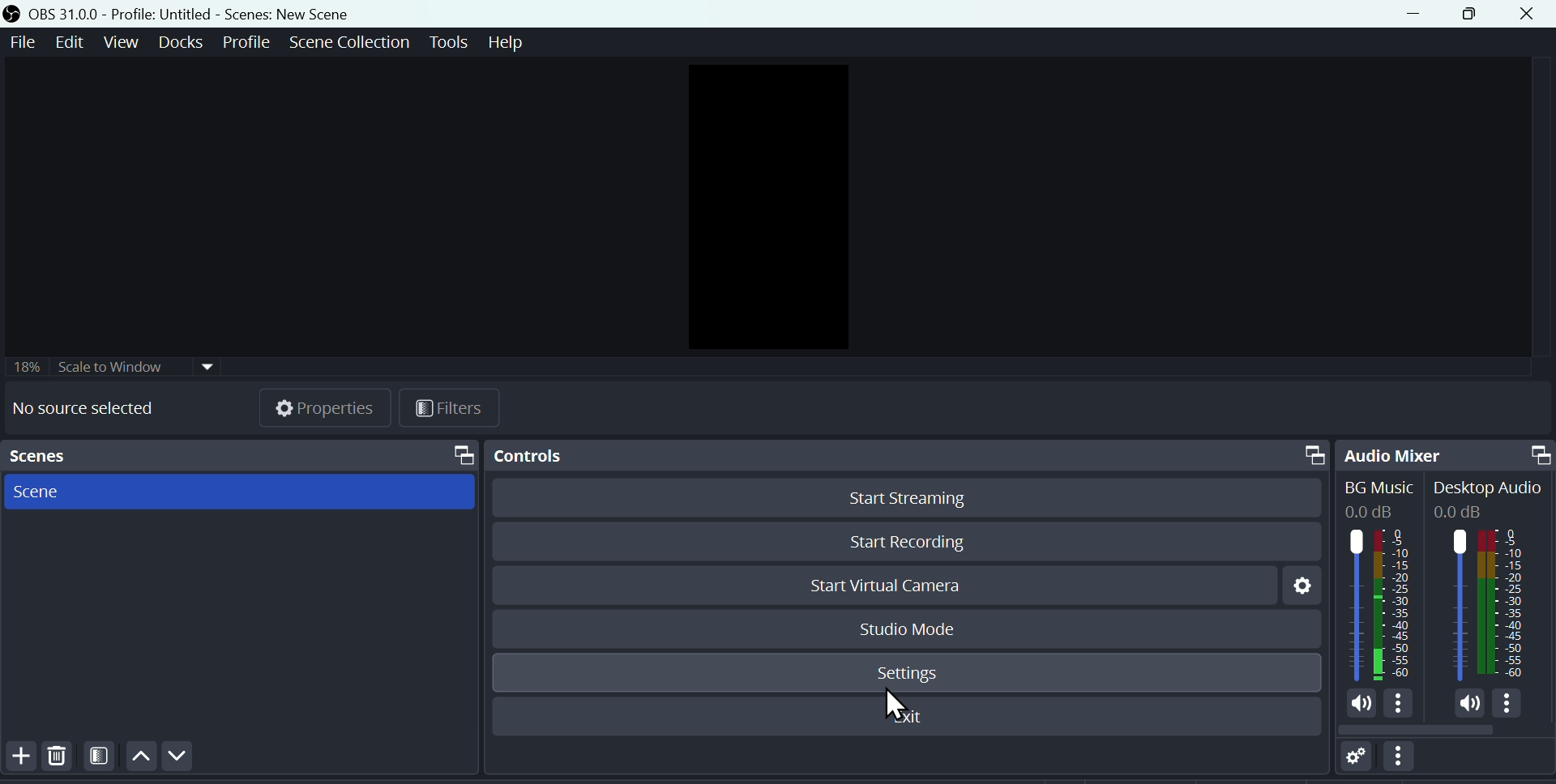 This screenshot has width=1556, height=784. What do you see at coordinates (908, 499) in the screenshot?
I see `Start streaming` at bounding box center [908, 499].